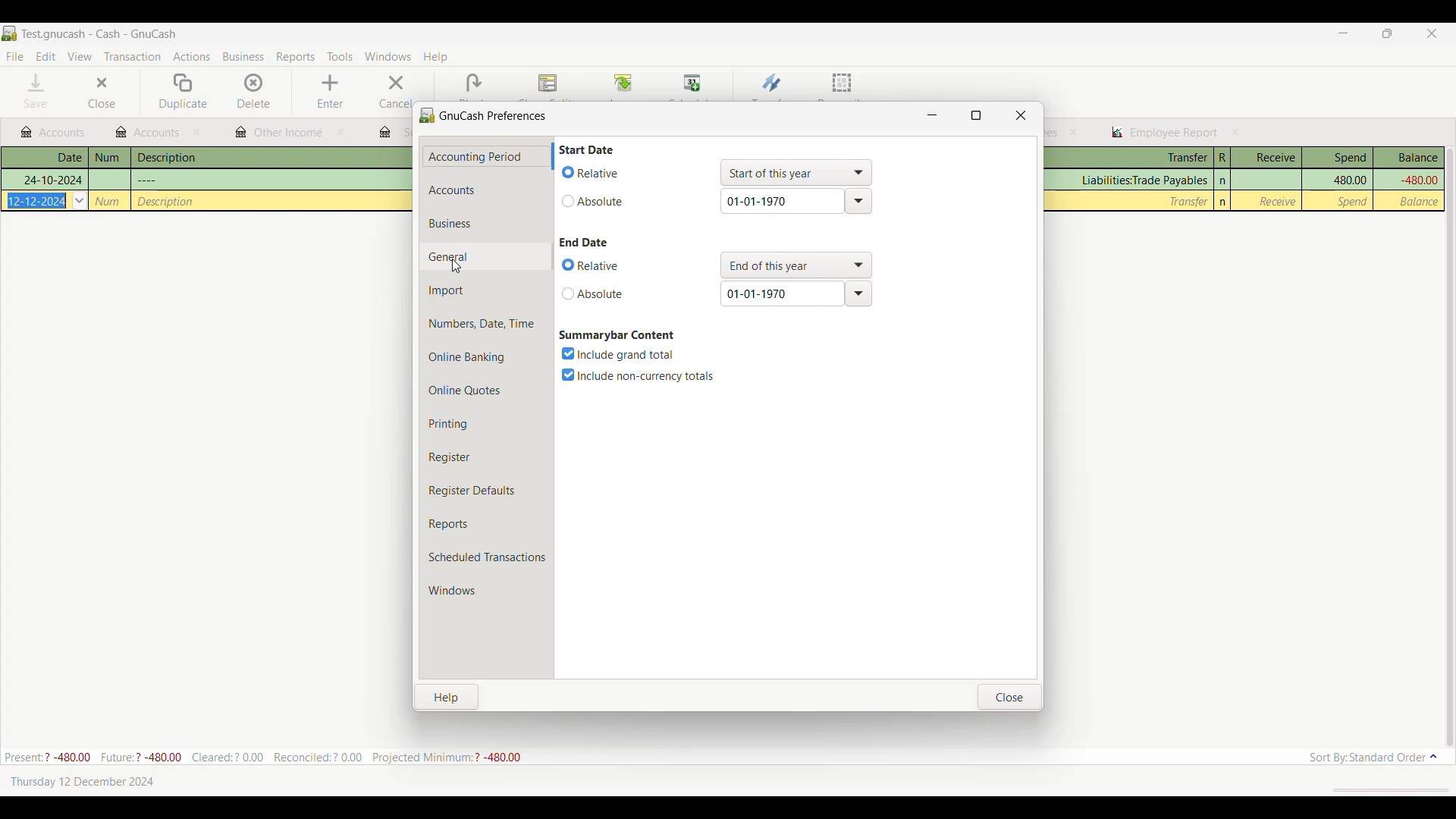  What do you see at coordinates (1074, 132) in the screenshot?
I see `close` at bounding box center [1074, 132].